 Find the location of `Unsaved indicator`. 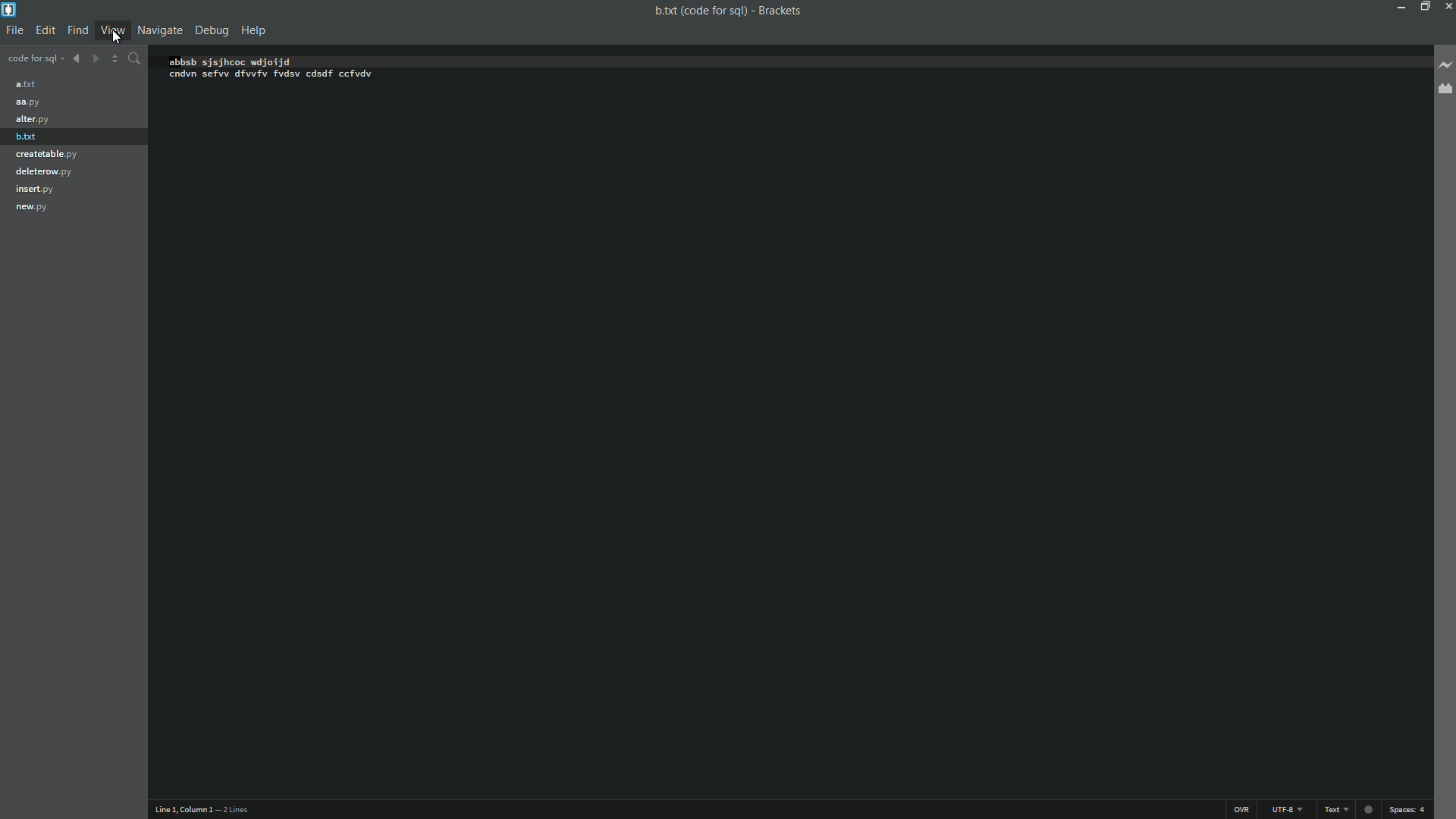

Unsaved indicator is located at coordinates (1373, 810).